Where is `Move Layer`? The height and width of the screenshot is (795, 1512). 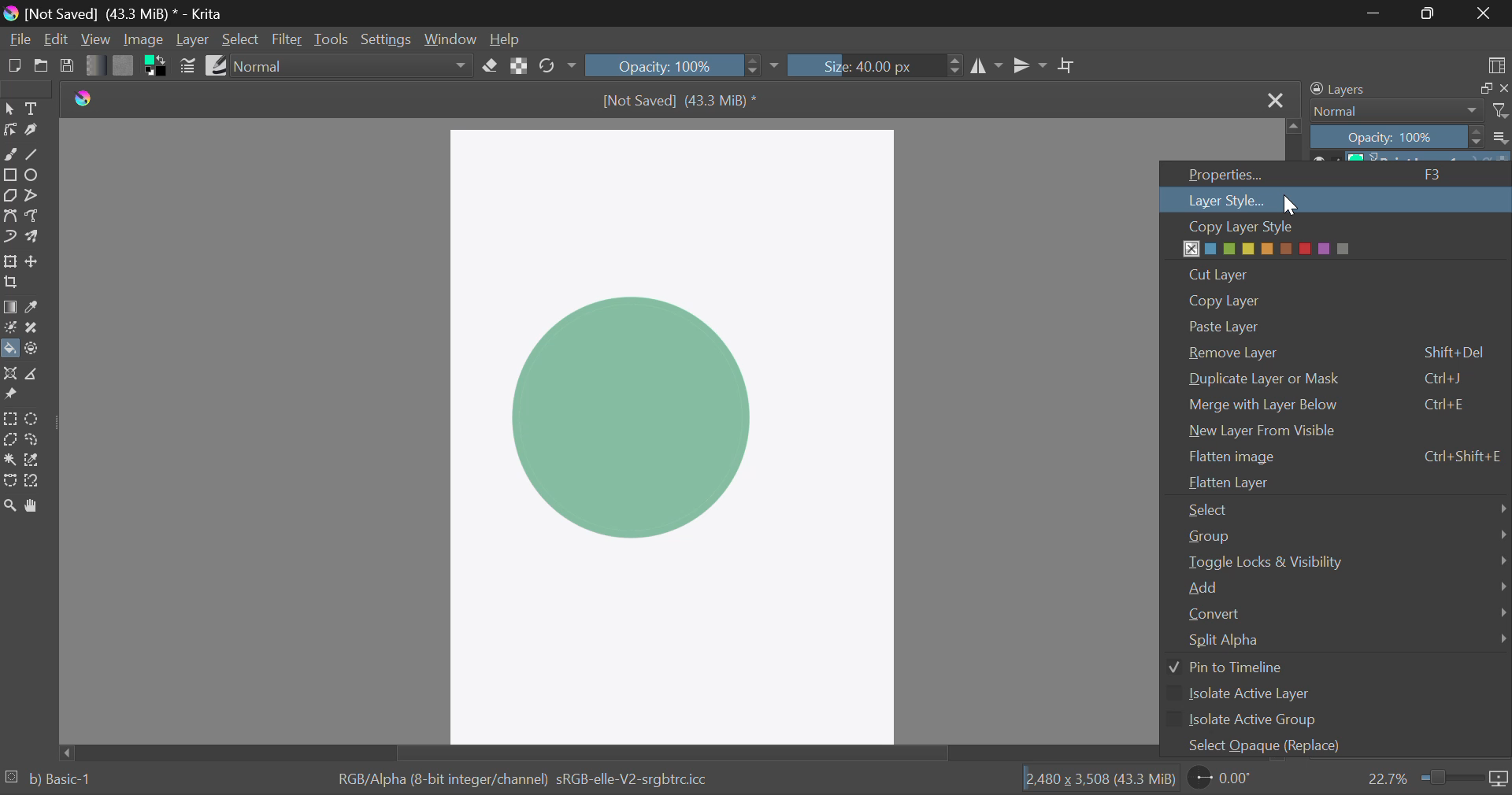
Move Layer is located at coordinates (34, 262).